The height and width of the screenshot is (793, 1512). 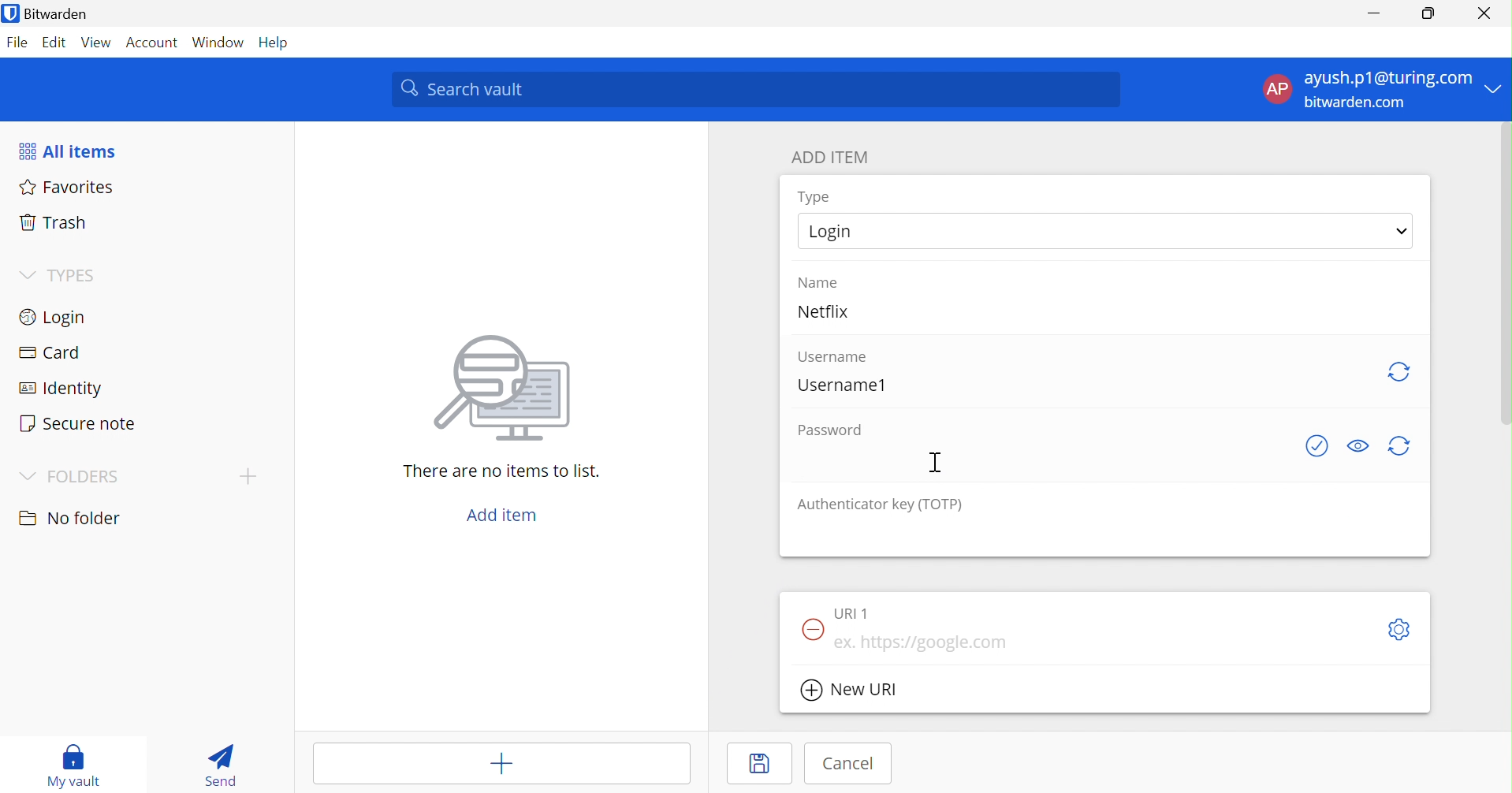 What do you see at coordinates (1398, 446) in the screenshot?
I see `Generate password` at bounding box center [1398, 446].